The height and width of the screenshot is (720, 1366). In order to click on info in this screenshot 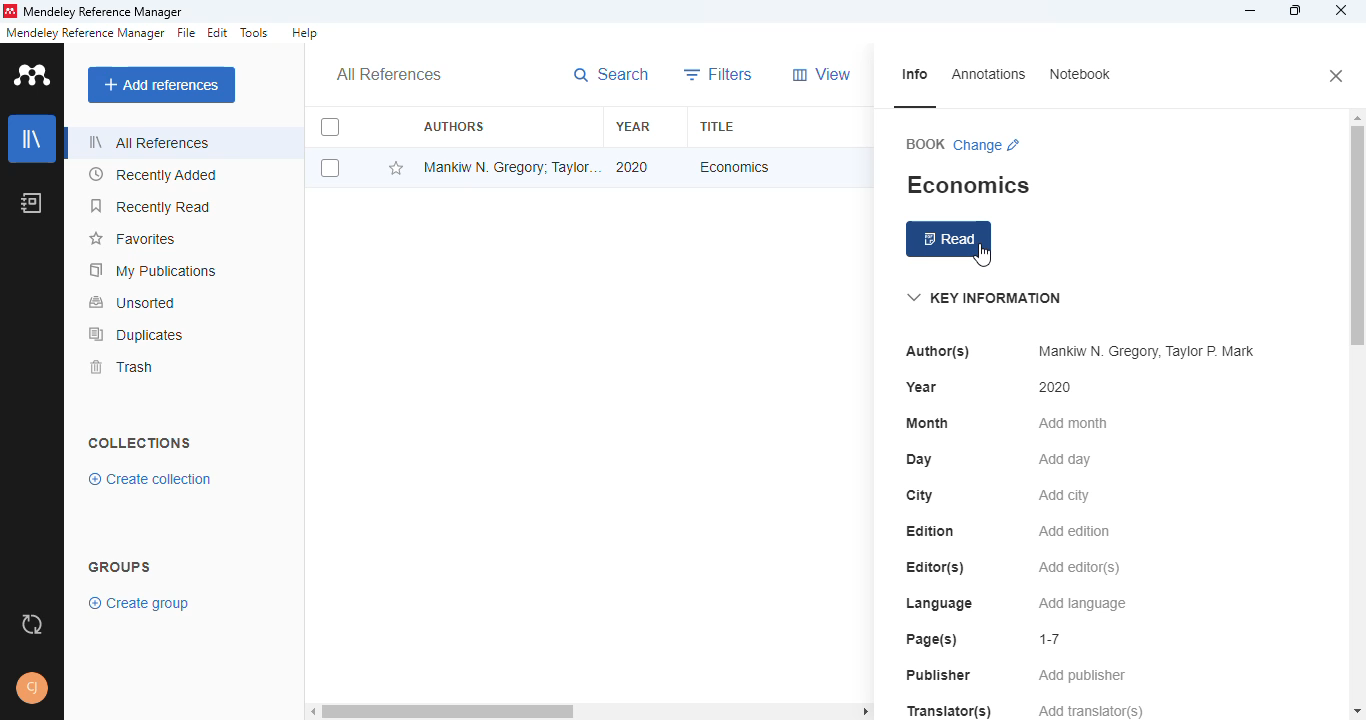, I will do `click(915, 75)`.